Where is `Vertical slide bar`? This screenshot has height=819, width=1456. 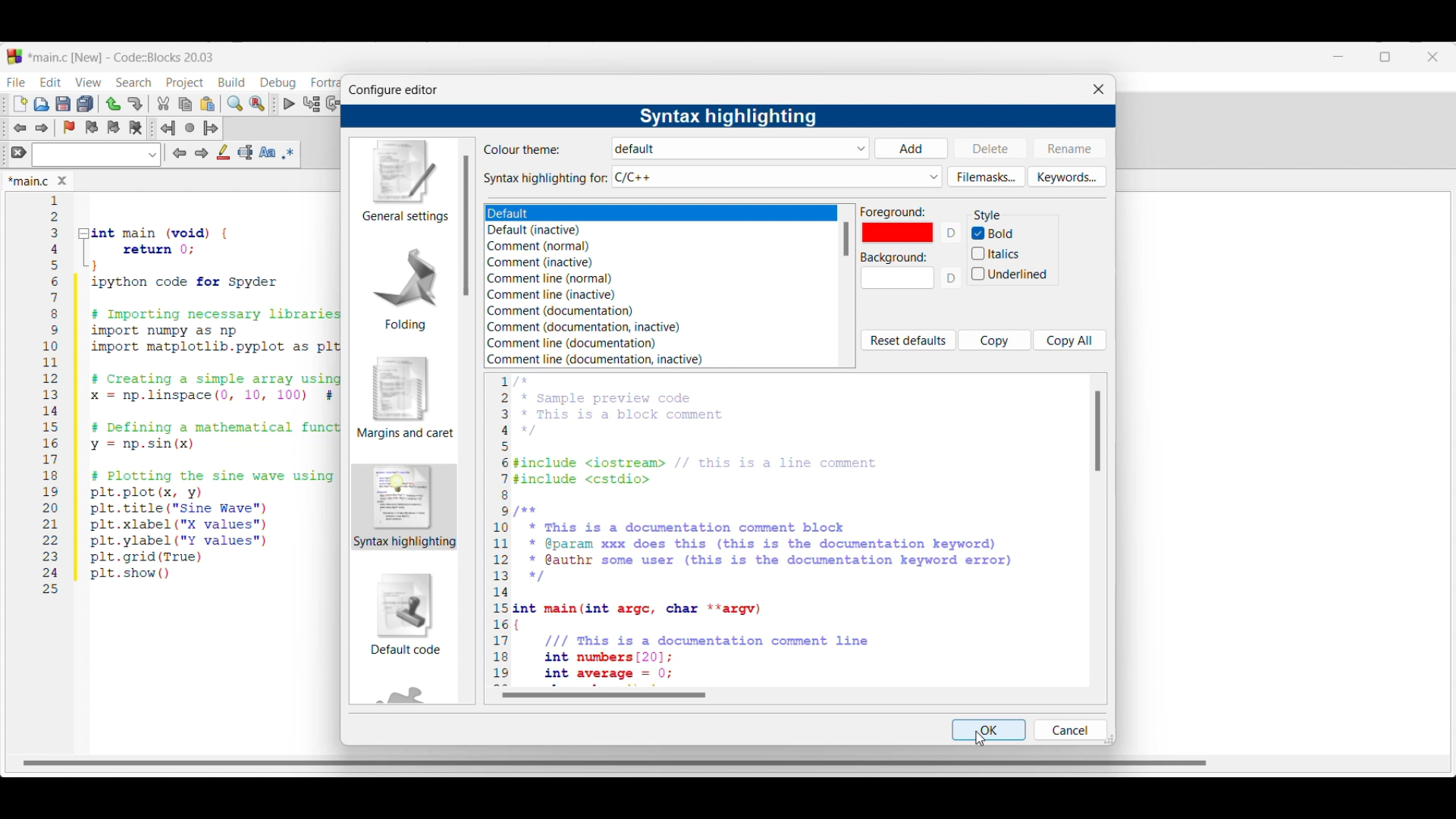 Vertical slide bar is located at coordinates (466, 225).